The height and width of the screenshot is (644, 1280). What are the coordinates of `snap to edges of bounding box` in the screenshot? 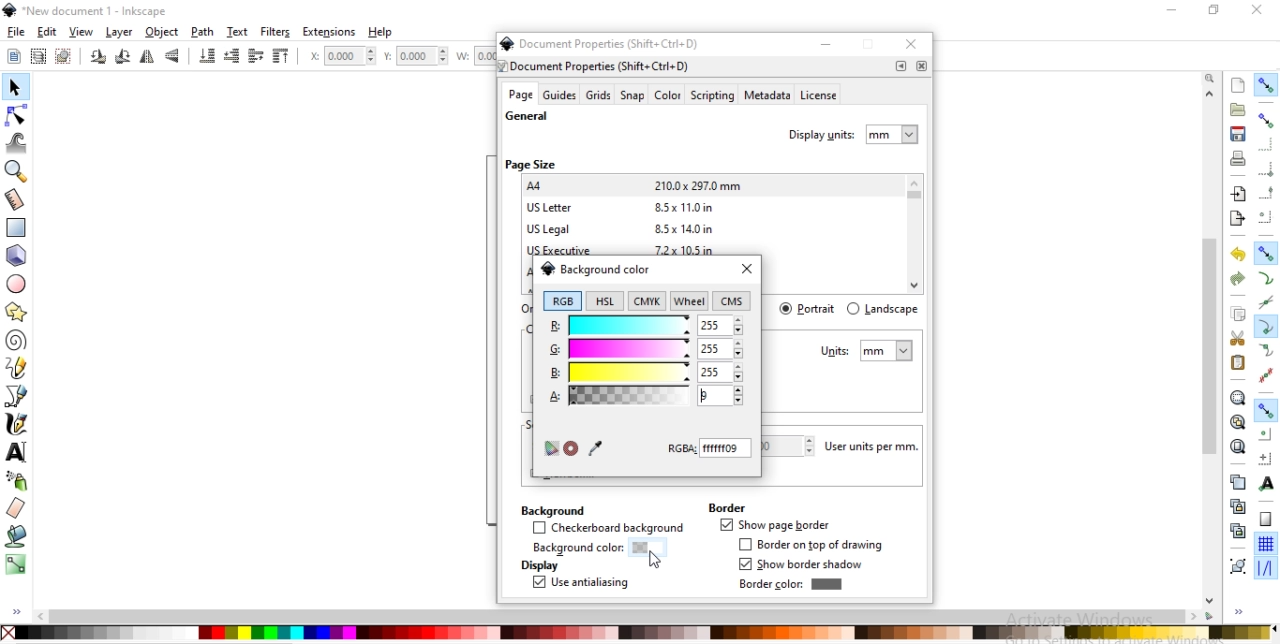 It's located at (1267, 144).